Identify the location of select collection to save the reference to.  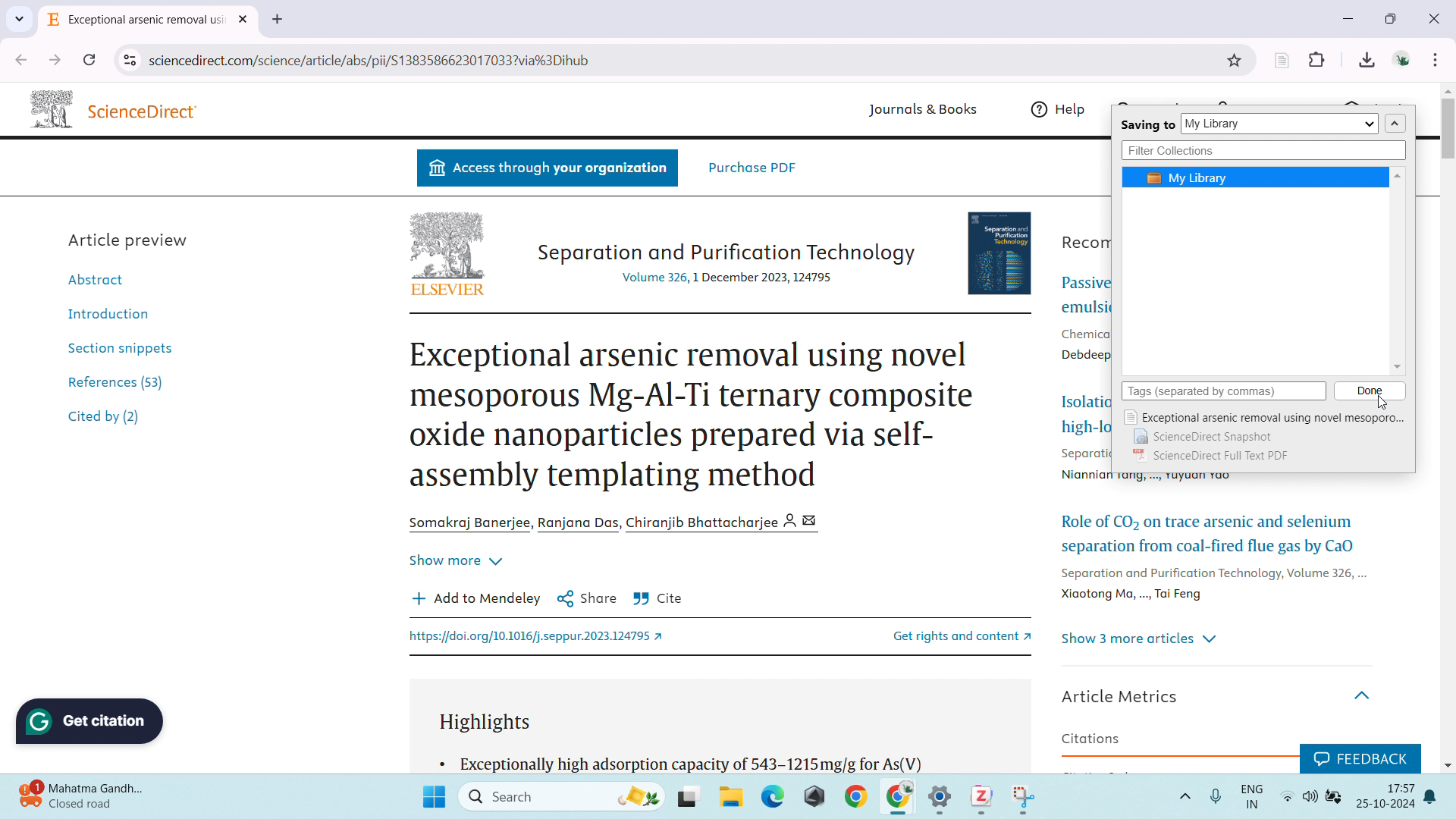
(1280, 124).